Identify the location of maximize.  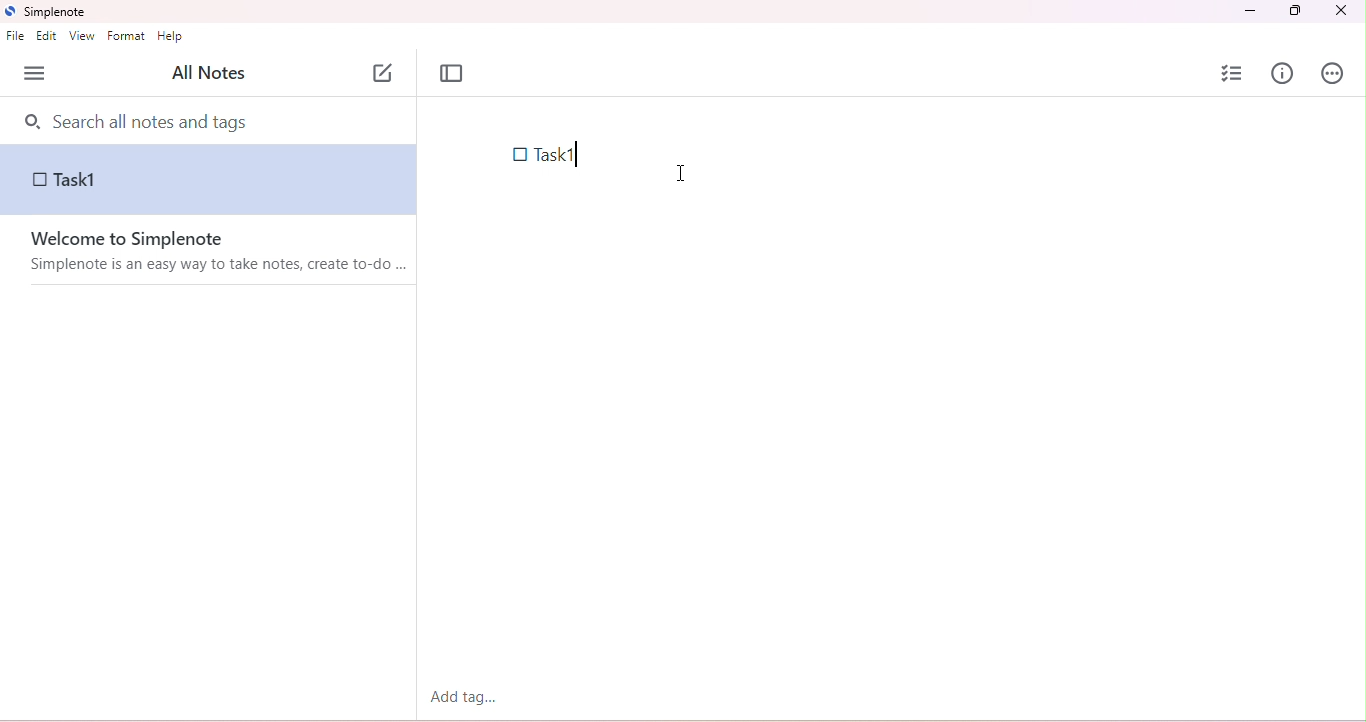
(1293, 11).